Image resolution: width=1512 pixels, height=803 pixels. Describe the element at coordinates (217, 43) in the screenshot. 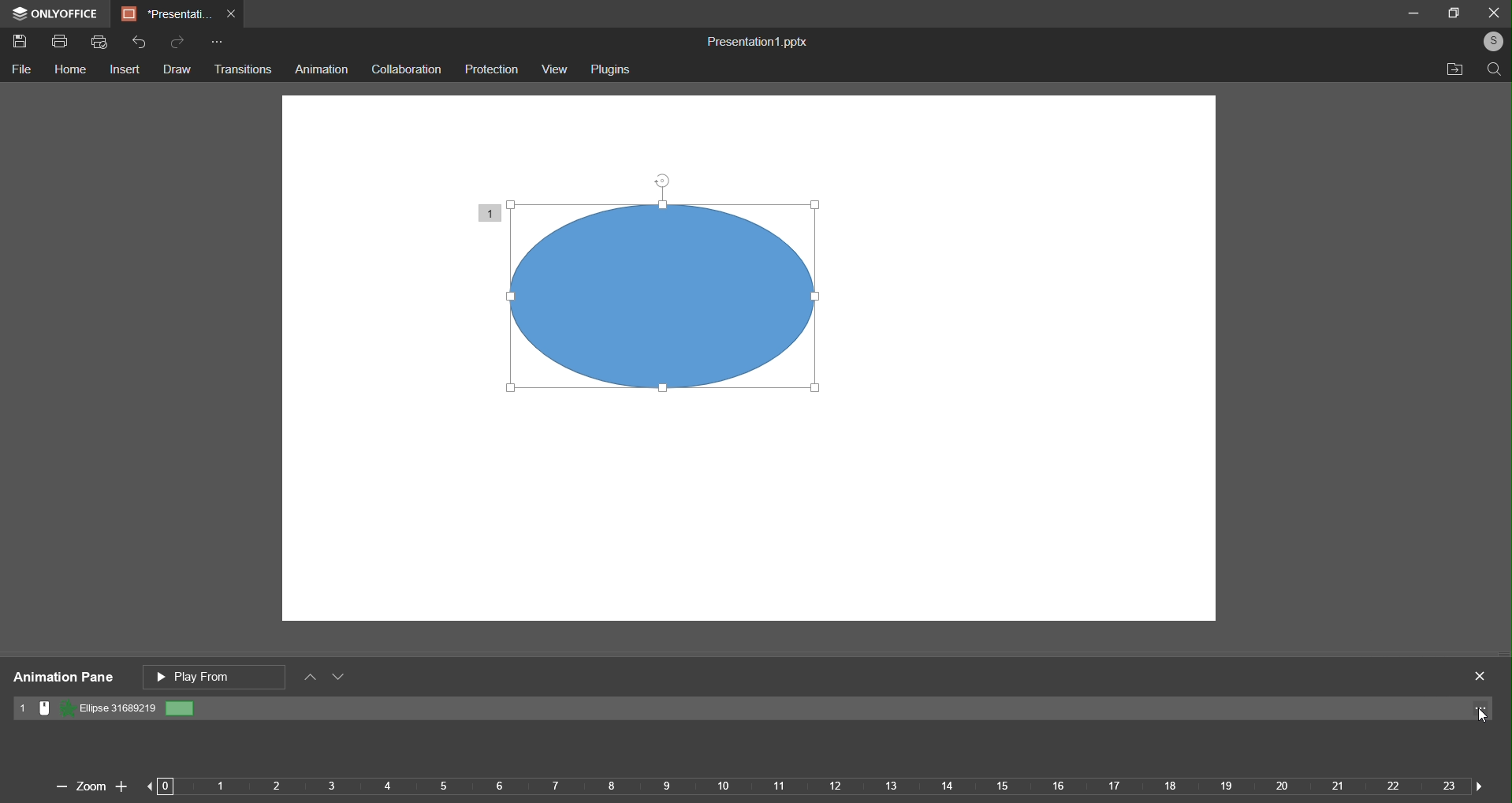

I see `Customize Quick Access` at that location.